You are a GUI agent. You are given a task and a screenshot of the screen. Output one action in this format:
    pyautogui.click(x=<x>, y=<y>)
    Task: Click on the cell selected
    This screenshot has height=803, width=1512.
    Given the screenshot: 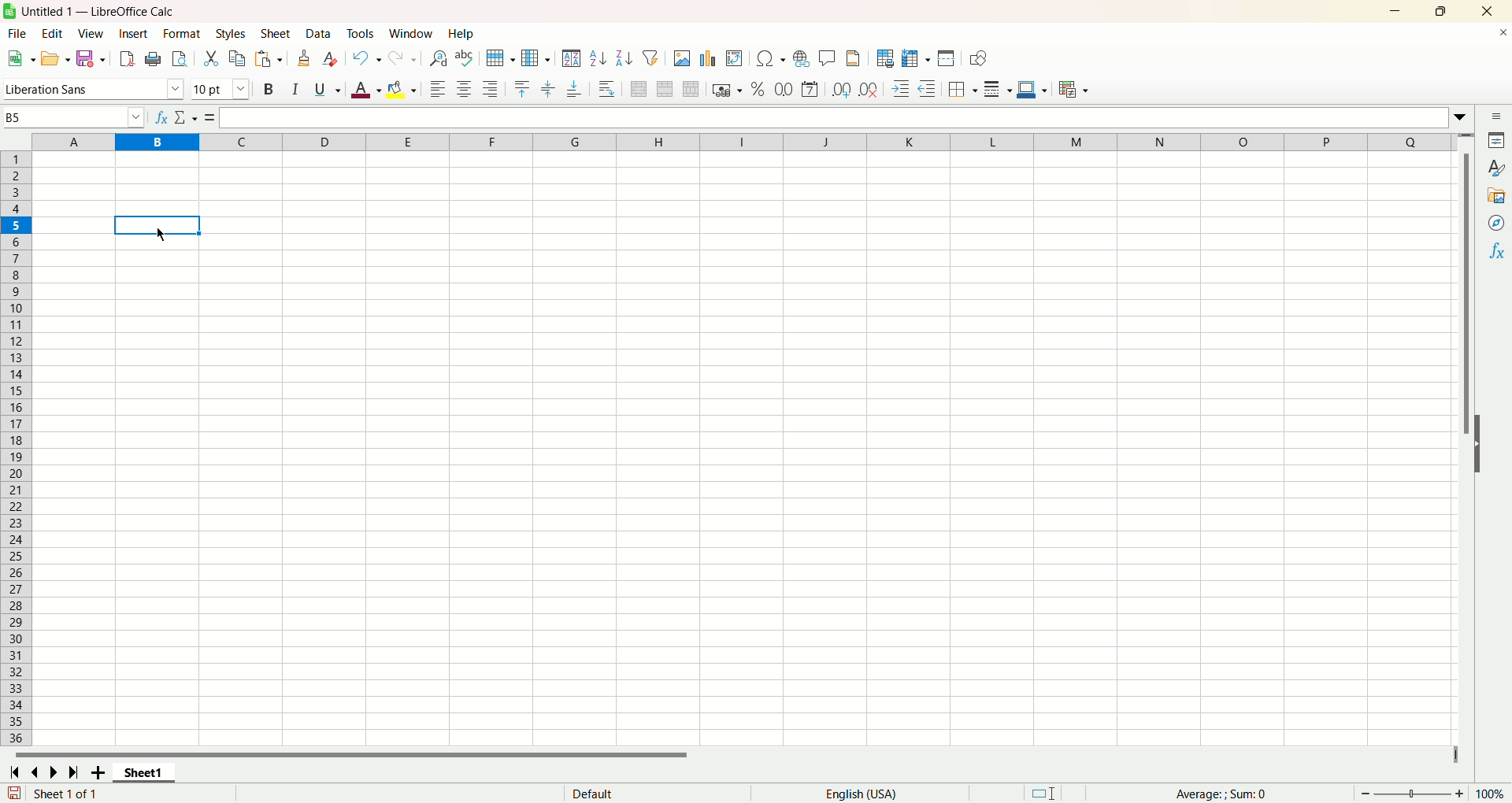 What is the action you would take?
    pyautogui.click(x=157, y=224)
    